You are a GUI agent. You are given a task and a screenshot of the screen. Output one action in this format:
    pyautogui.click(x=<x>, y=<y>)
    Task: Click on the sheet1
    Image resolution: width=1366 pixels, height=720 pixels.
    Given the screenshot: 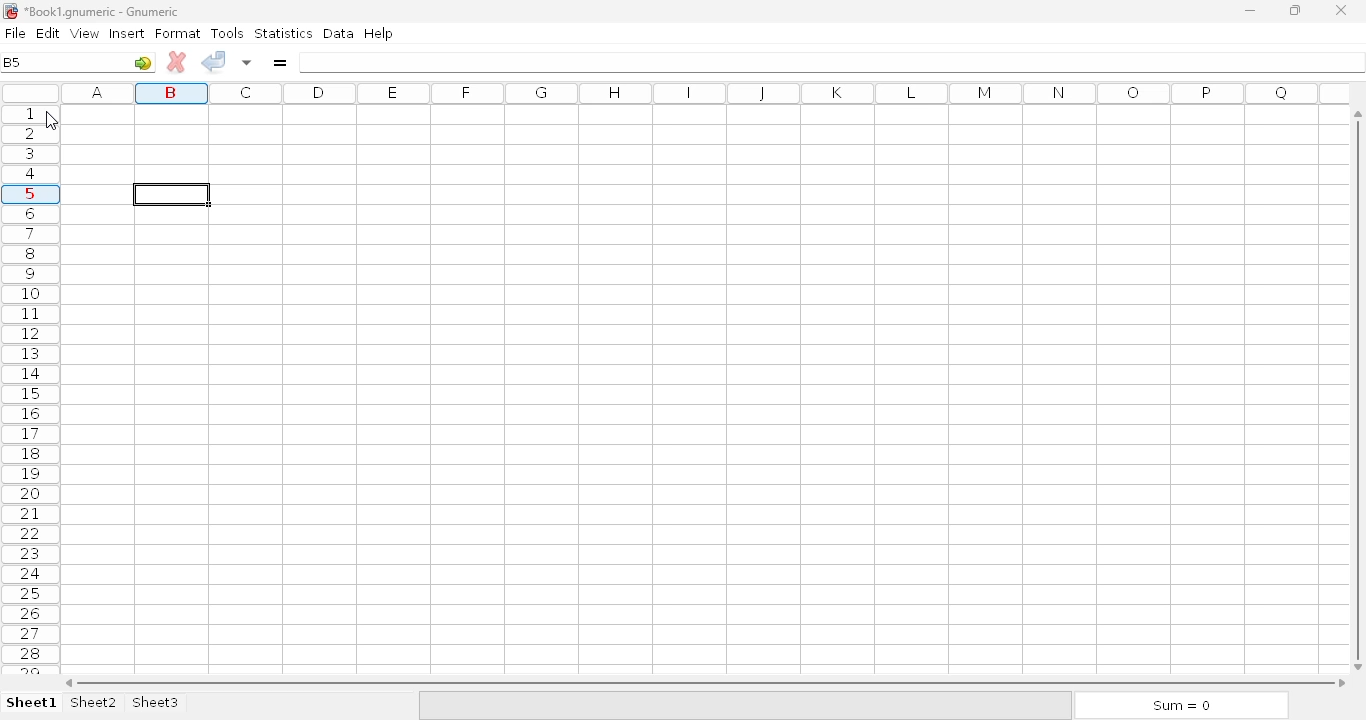 What is the action you would take?
    pyautogui.click(x=32, y=703)
    